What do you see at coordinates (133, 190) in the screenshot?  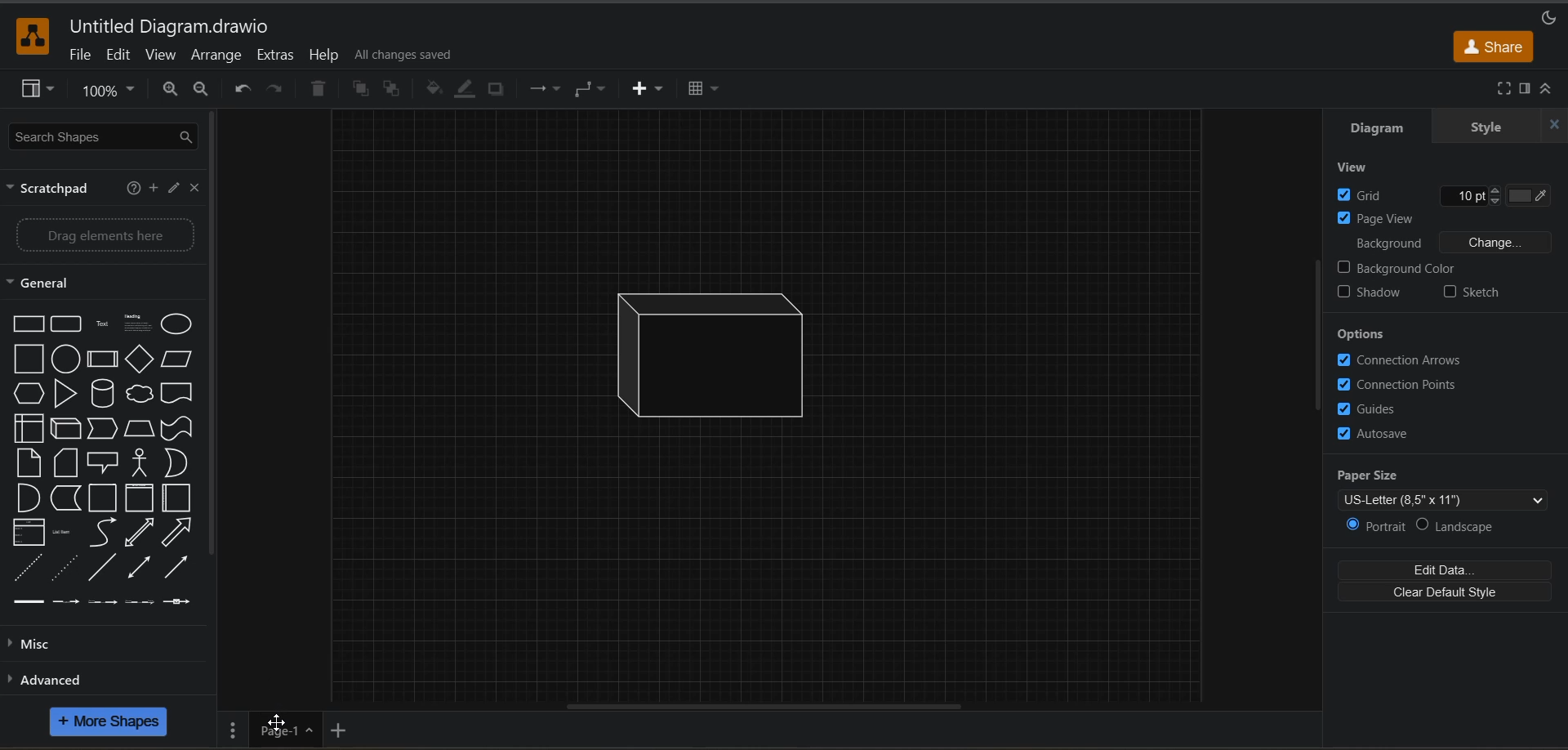 I see `help` at bounding box center [133, 190].